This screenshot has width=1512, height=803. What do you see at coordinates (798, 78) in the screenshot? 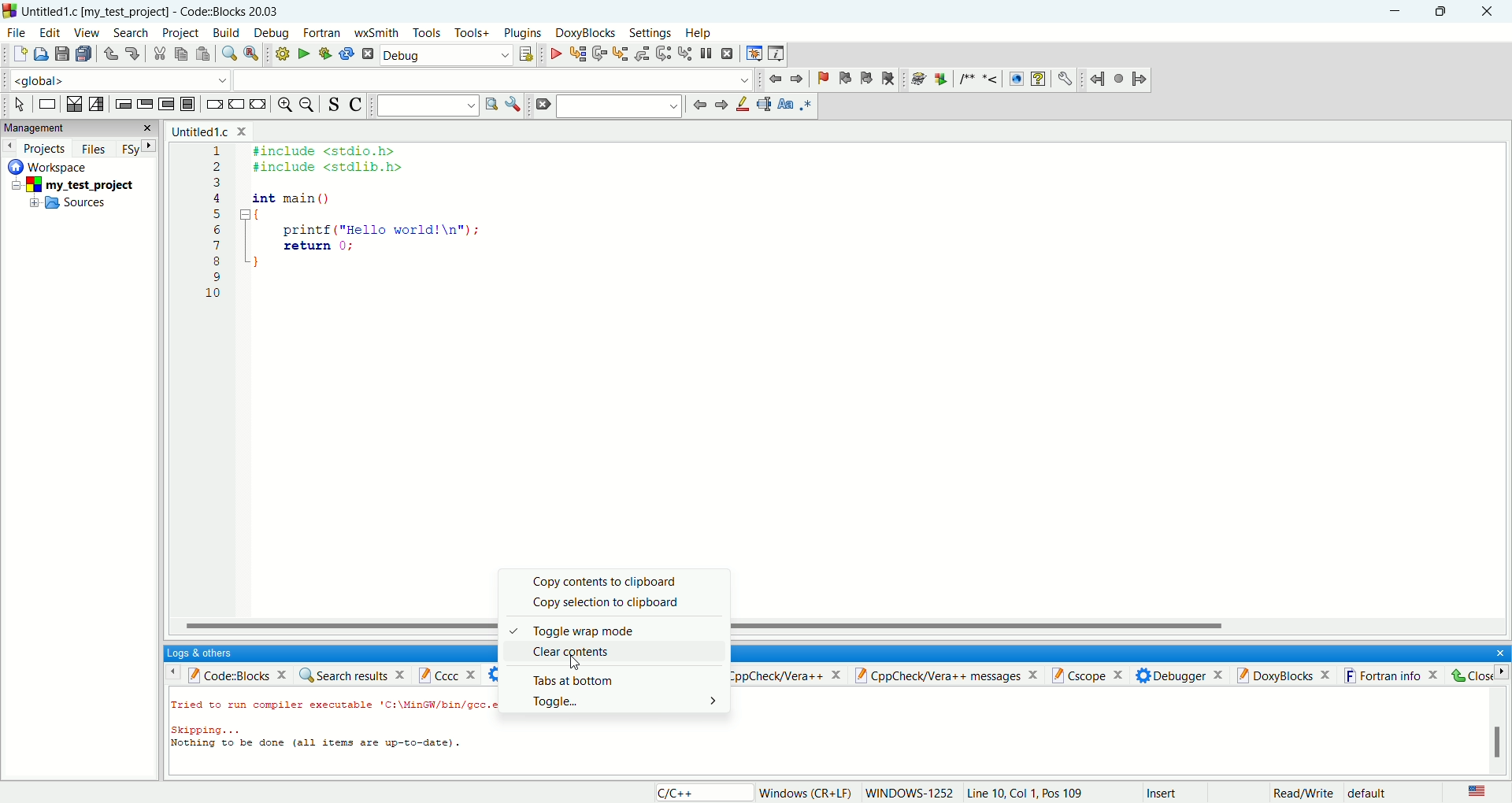
I see `jump forward` at bounding box center [798, 78].